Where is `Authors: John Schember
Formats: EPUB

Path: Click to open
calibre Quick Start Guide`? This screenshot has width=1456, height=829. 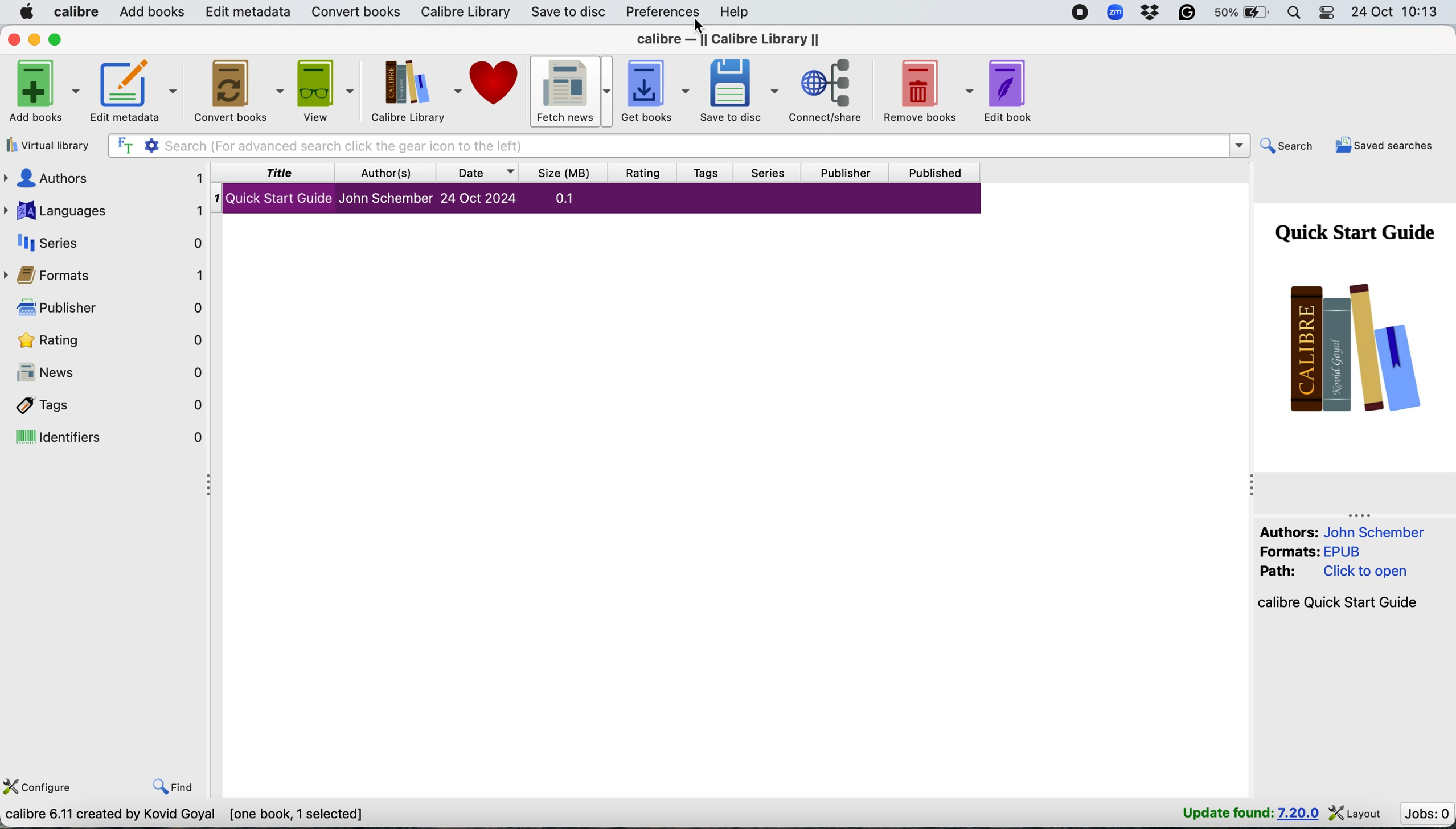 Authors: John Schember
Formats: EPUB

Path: Click to open
calibre Quick Start Guide is located at coordinates (1340, 569).